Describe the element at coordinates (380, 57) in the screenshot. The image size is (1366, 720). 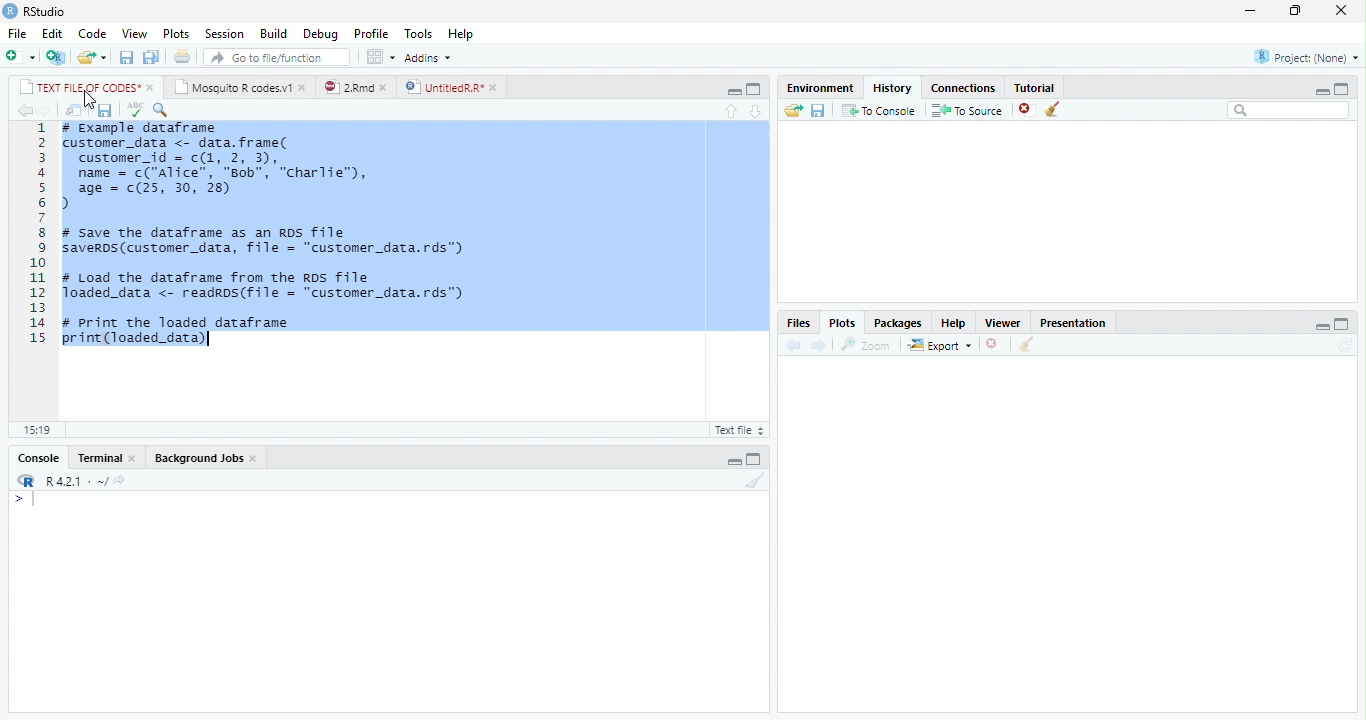
I see `options` at that location.